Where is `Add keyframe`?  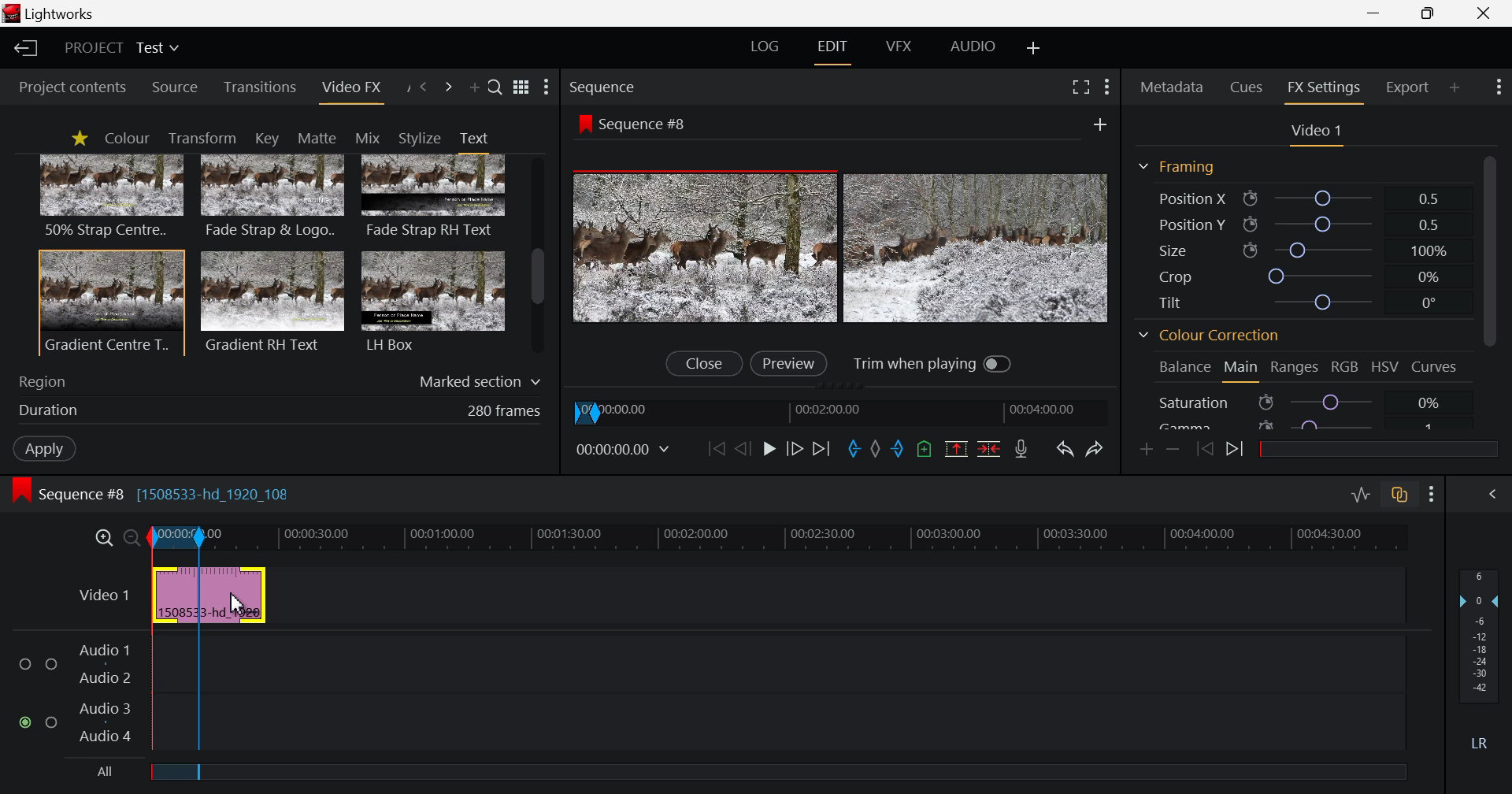
Add keyframe is located at coordinates (1143, 448).